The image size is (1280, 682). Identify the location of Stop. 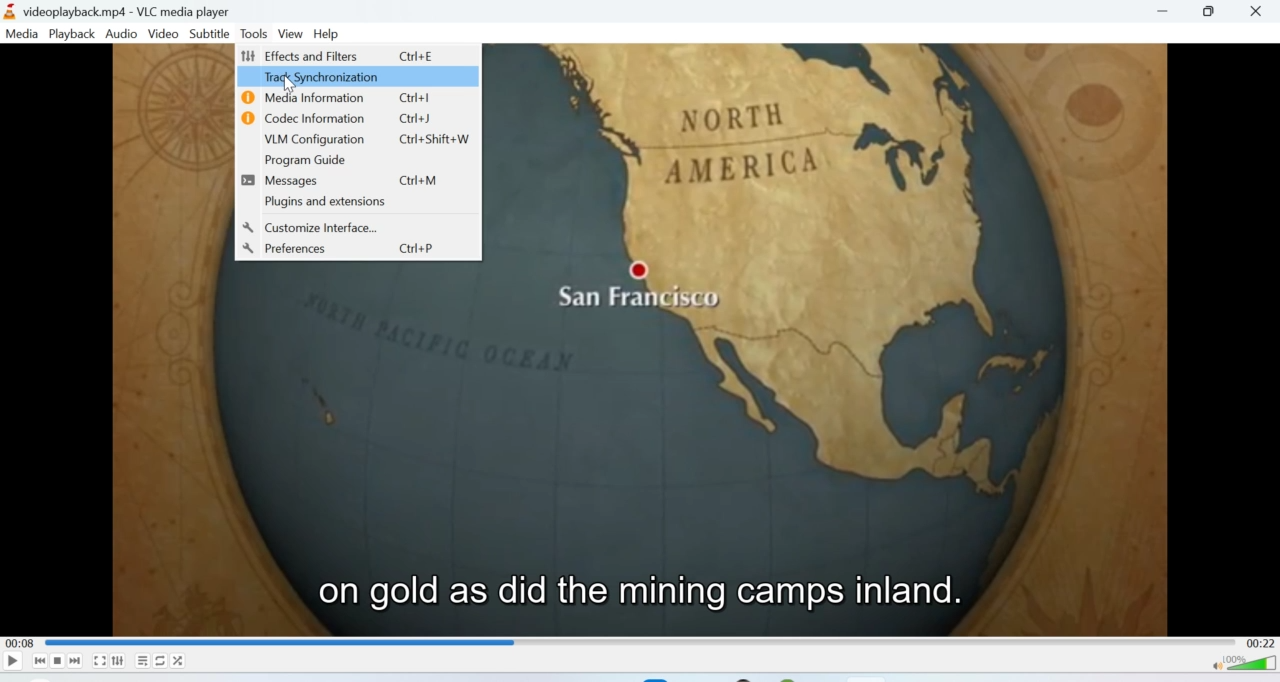
(58, 661).